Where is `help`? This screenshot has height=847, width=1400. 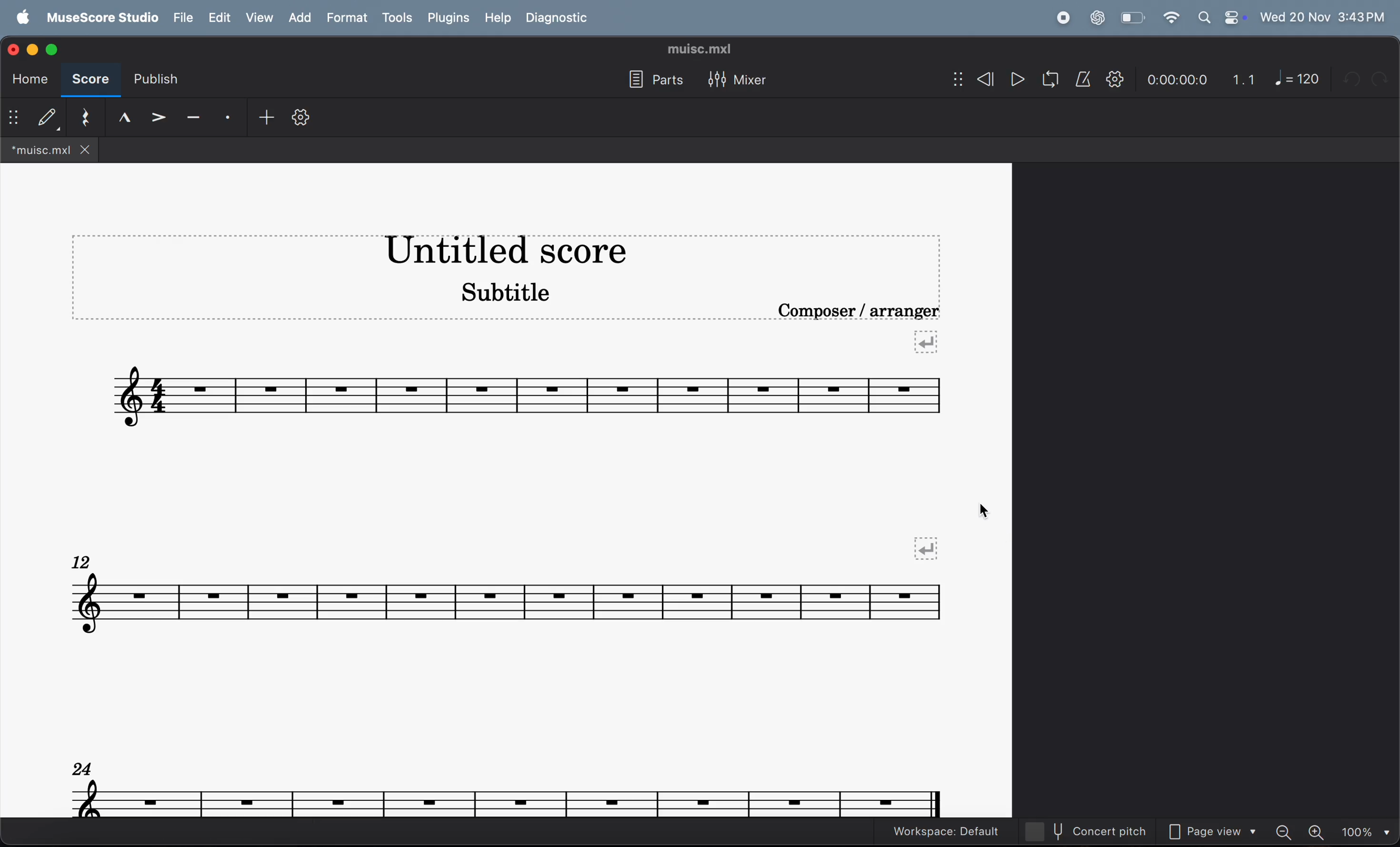
help is located at coordinates (499, 17).